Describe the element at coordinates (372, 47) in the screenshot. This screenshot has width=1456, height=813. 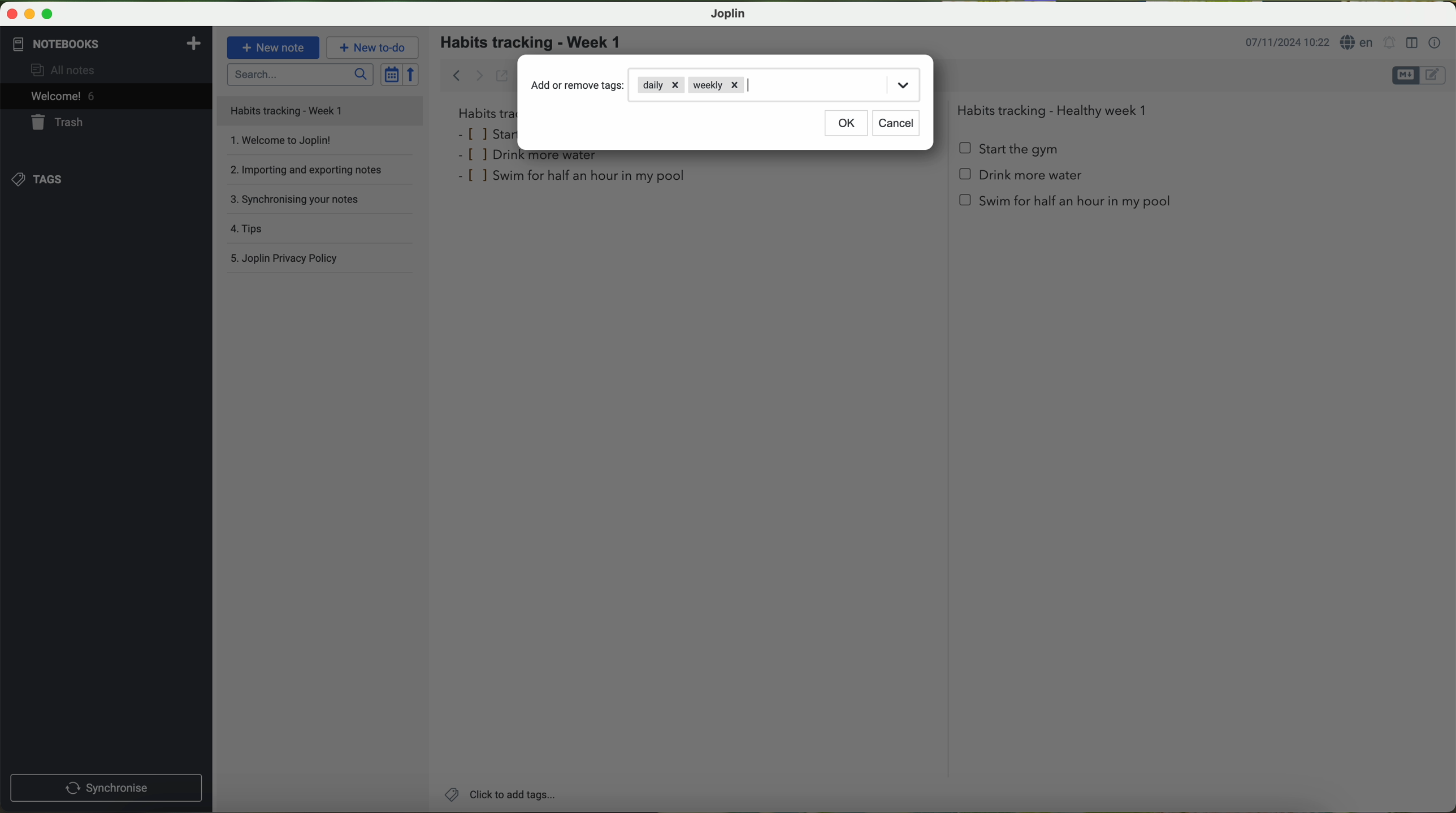
I see `new to-do button` at that location.